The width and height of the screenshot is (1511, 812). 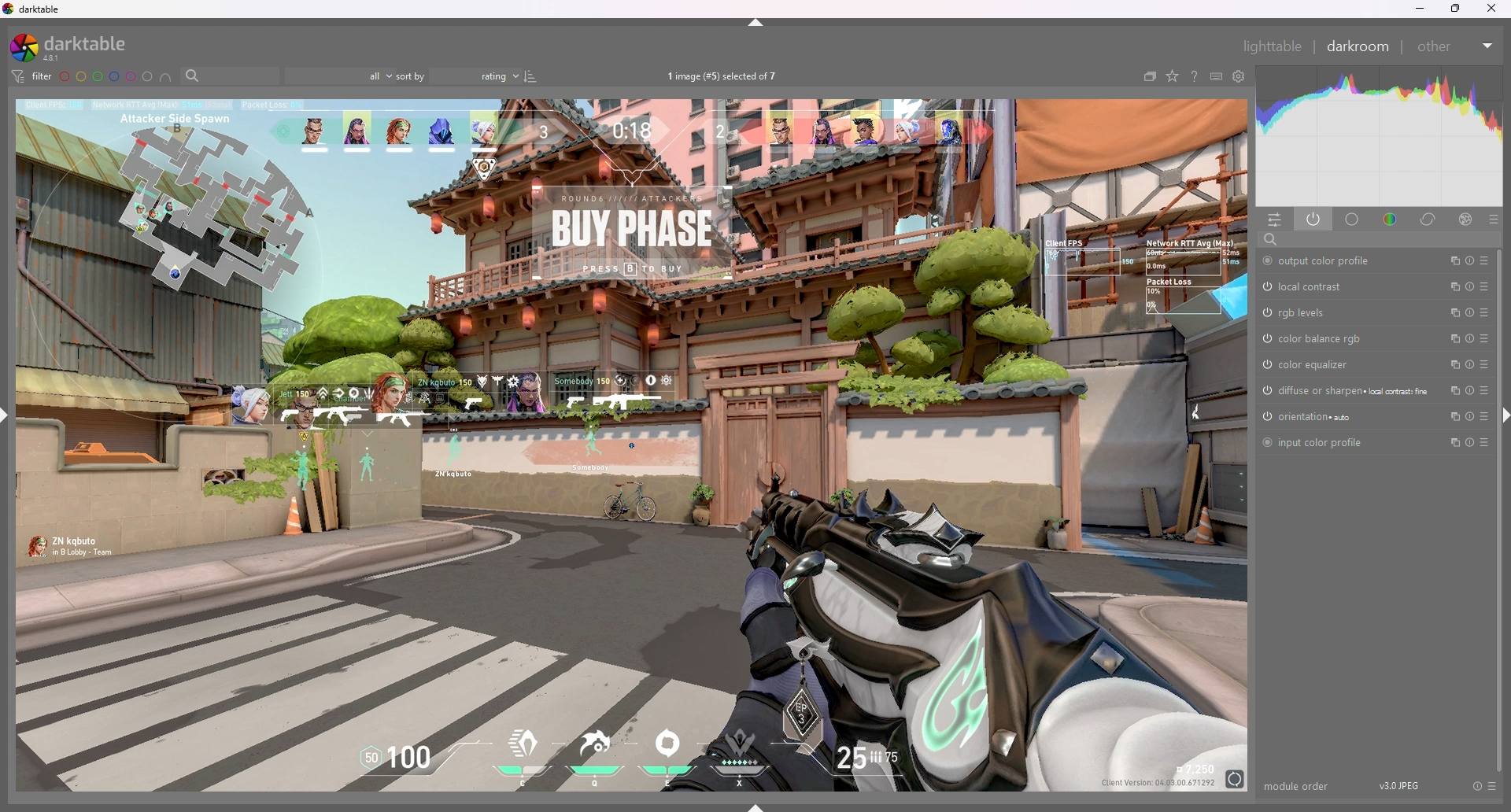 What do you see at coordinates (1417, 9) in the screenshot?
I see `minimize` at bounding box center [1417, 9].